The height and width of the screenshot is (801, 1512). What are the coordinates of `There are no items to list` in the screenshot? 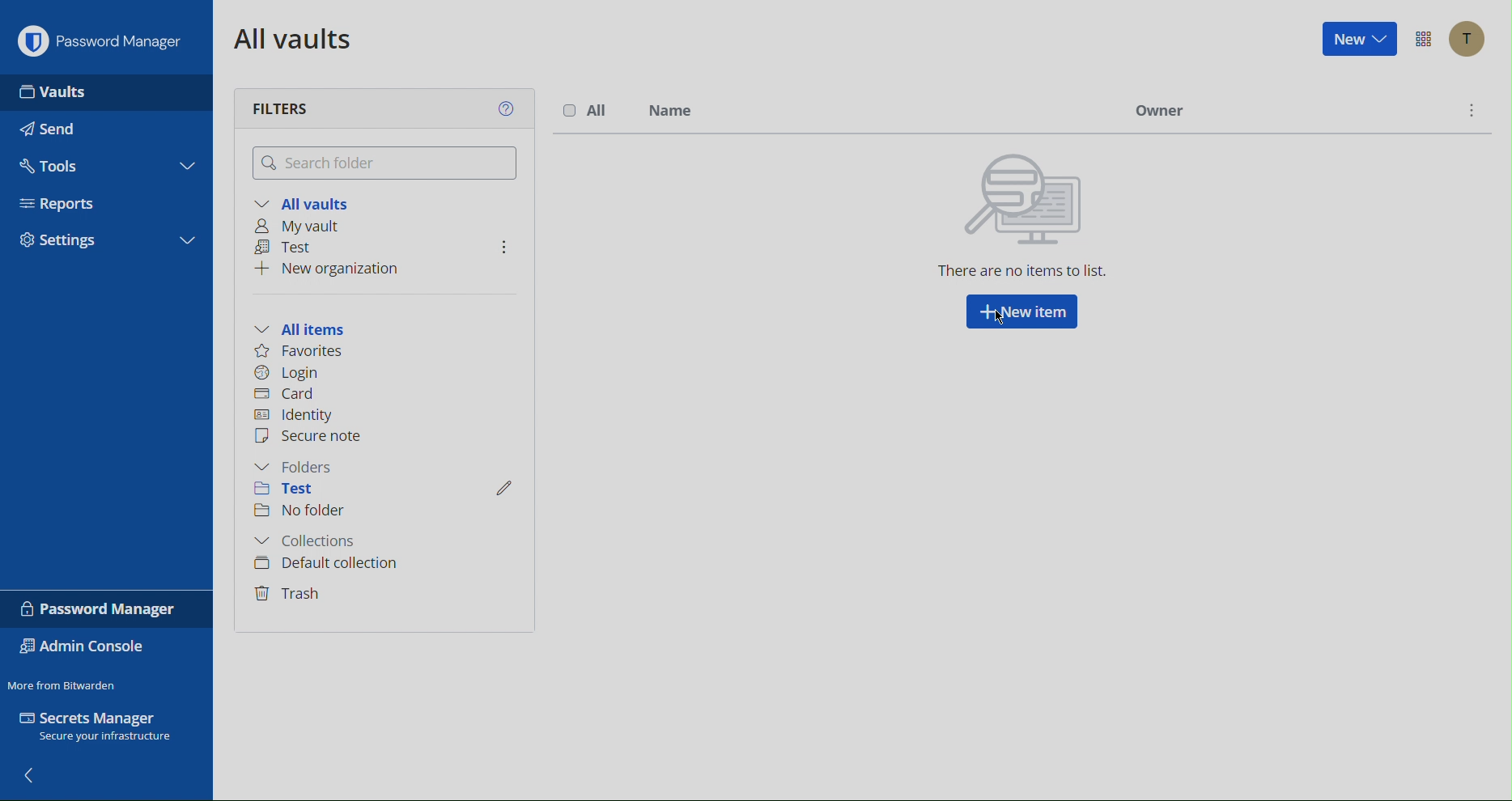 It's located at (1022, 220).